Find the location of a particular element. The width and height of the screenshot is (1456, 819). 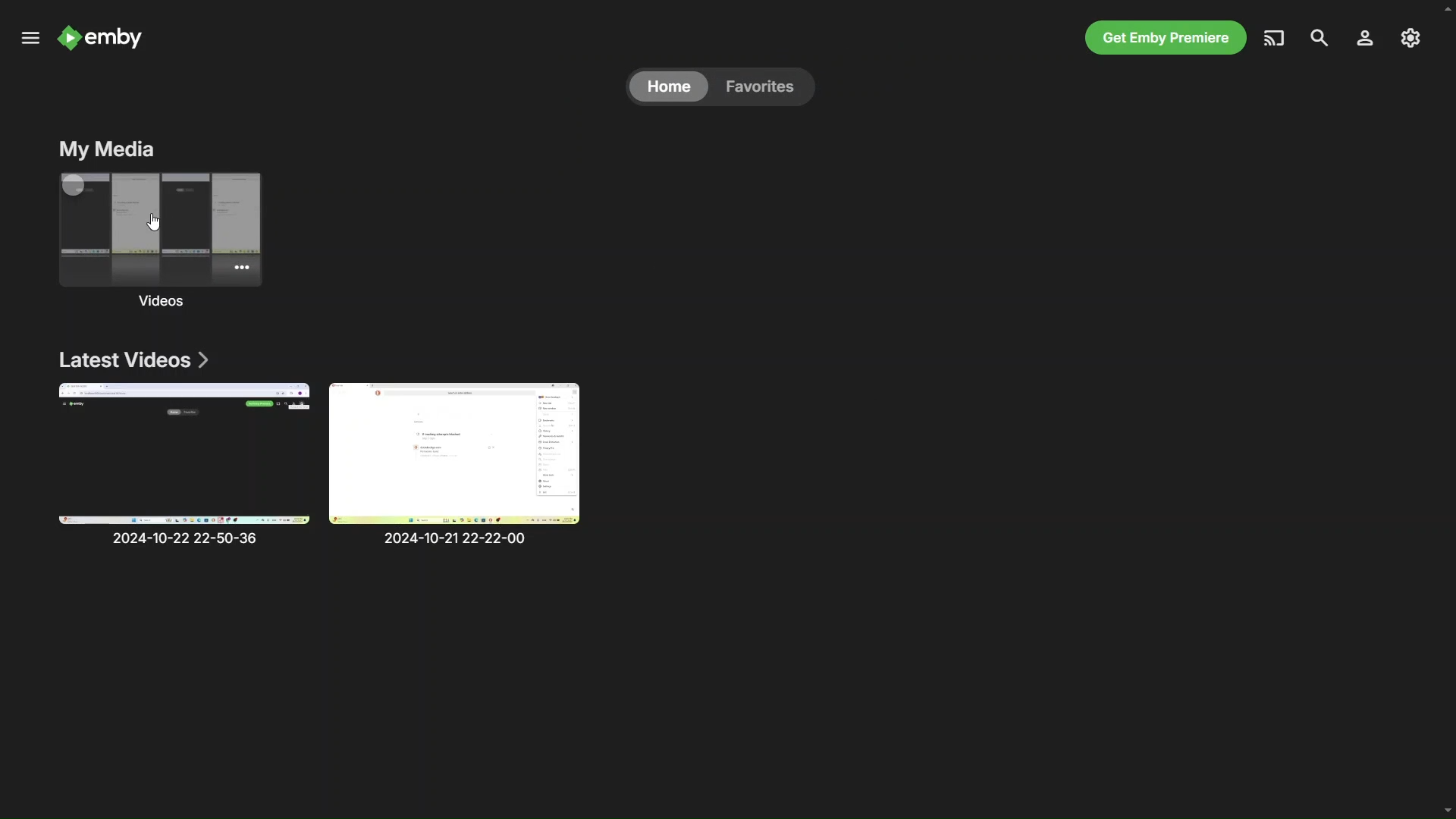

video is located at coordinates (466, 463).